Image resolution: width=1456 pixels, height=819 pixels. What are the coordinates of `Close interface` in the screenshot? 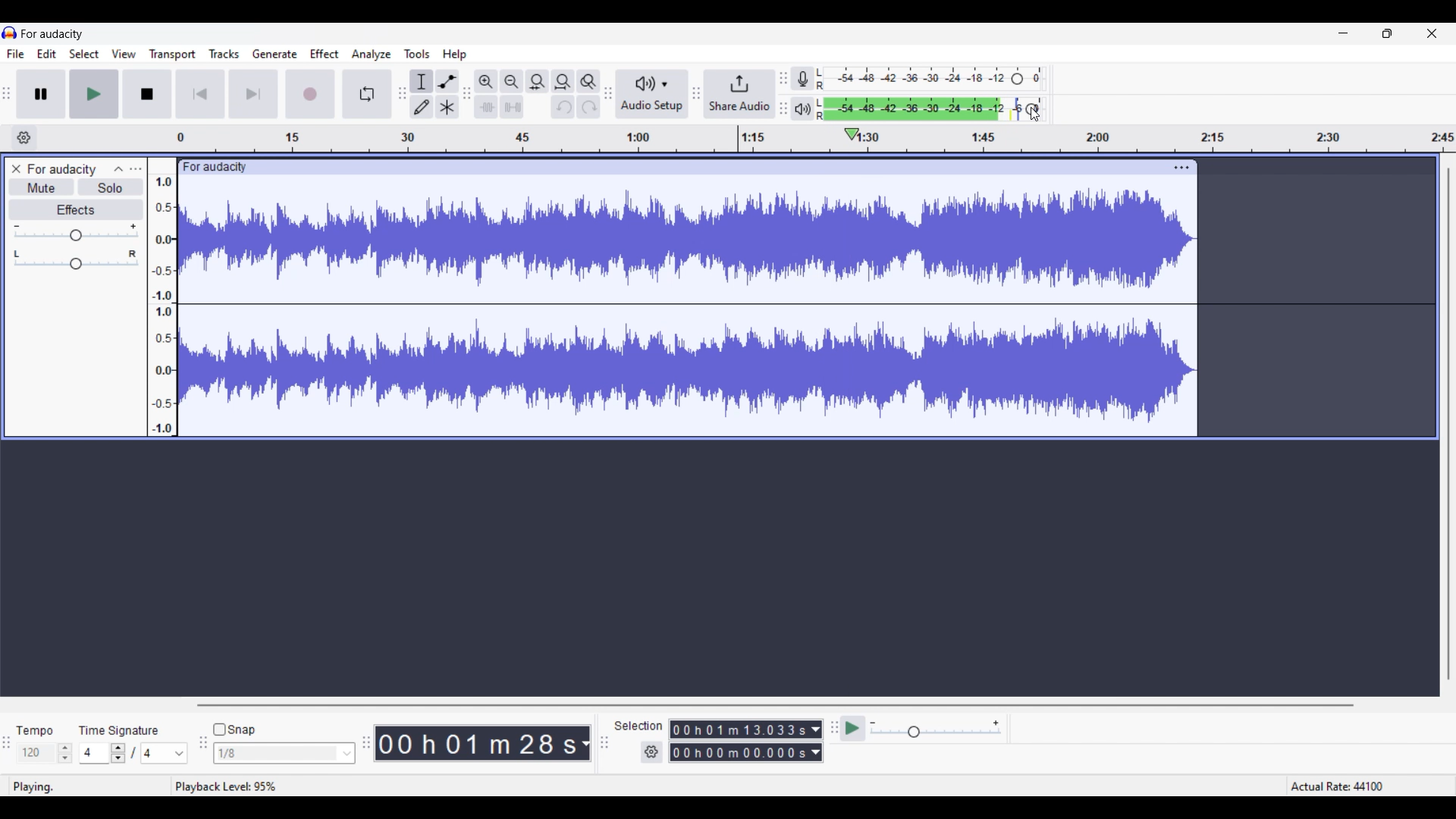 It's located at (1432, 33).